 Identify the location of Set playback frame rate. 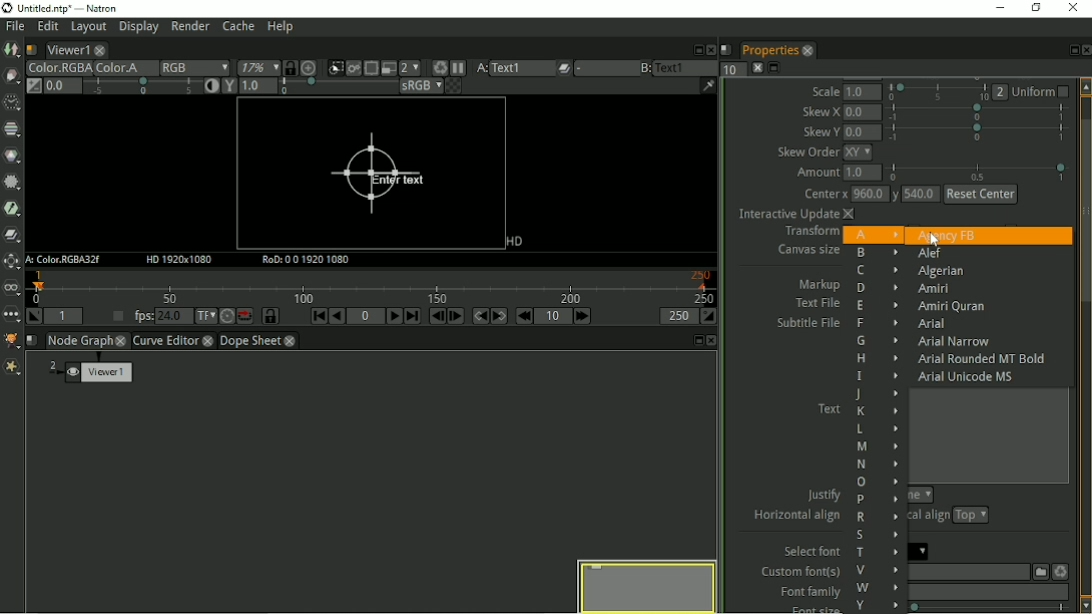
(115, 317).